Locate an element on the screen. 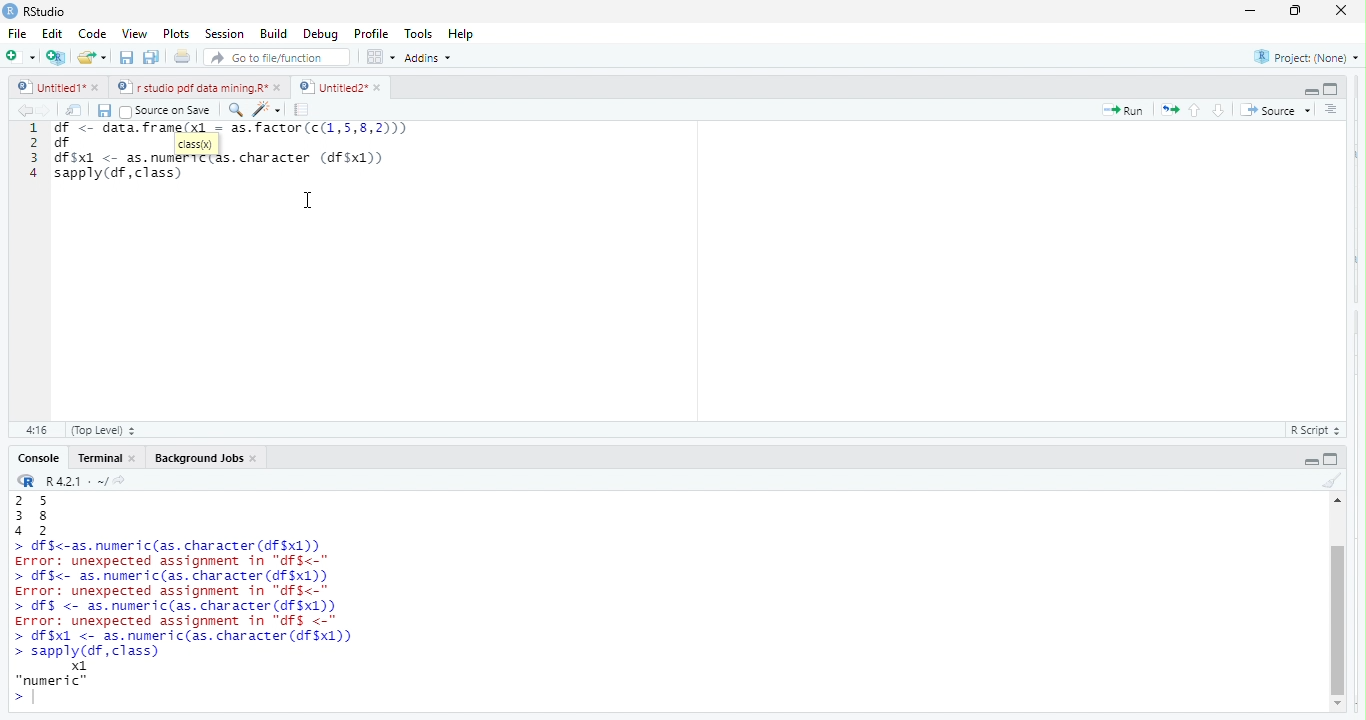 The height and width of the screenshot is (720, 1366). df data frame (x) = as factor c(1,5,8,2))) df essdf $x1 <- as.numertctas. character (4f$x1))sapply (df, class) is located at coordinates (257, 153).